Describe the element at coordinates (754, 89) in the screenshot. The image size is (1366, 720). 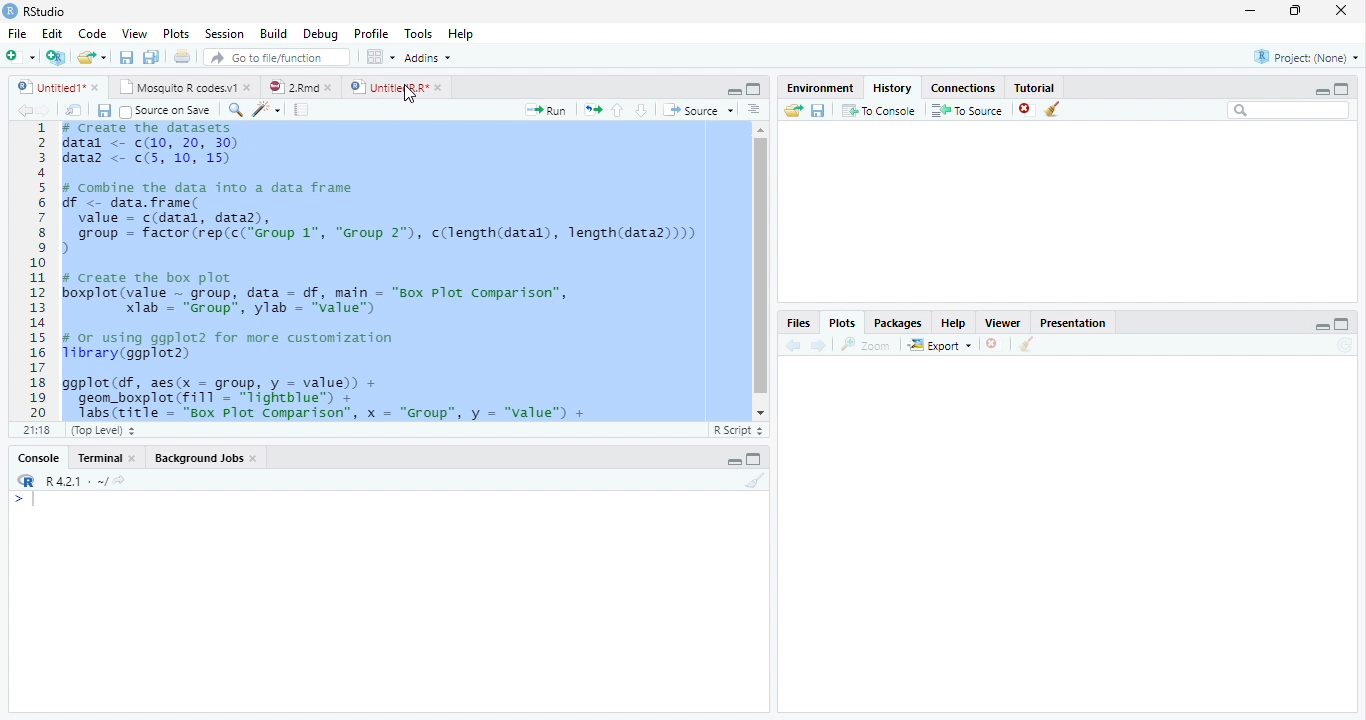
I see `Maximize` at that location.